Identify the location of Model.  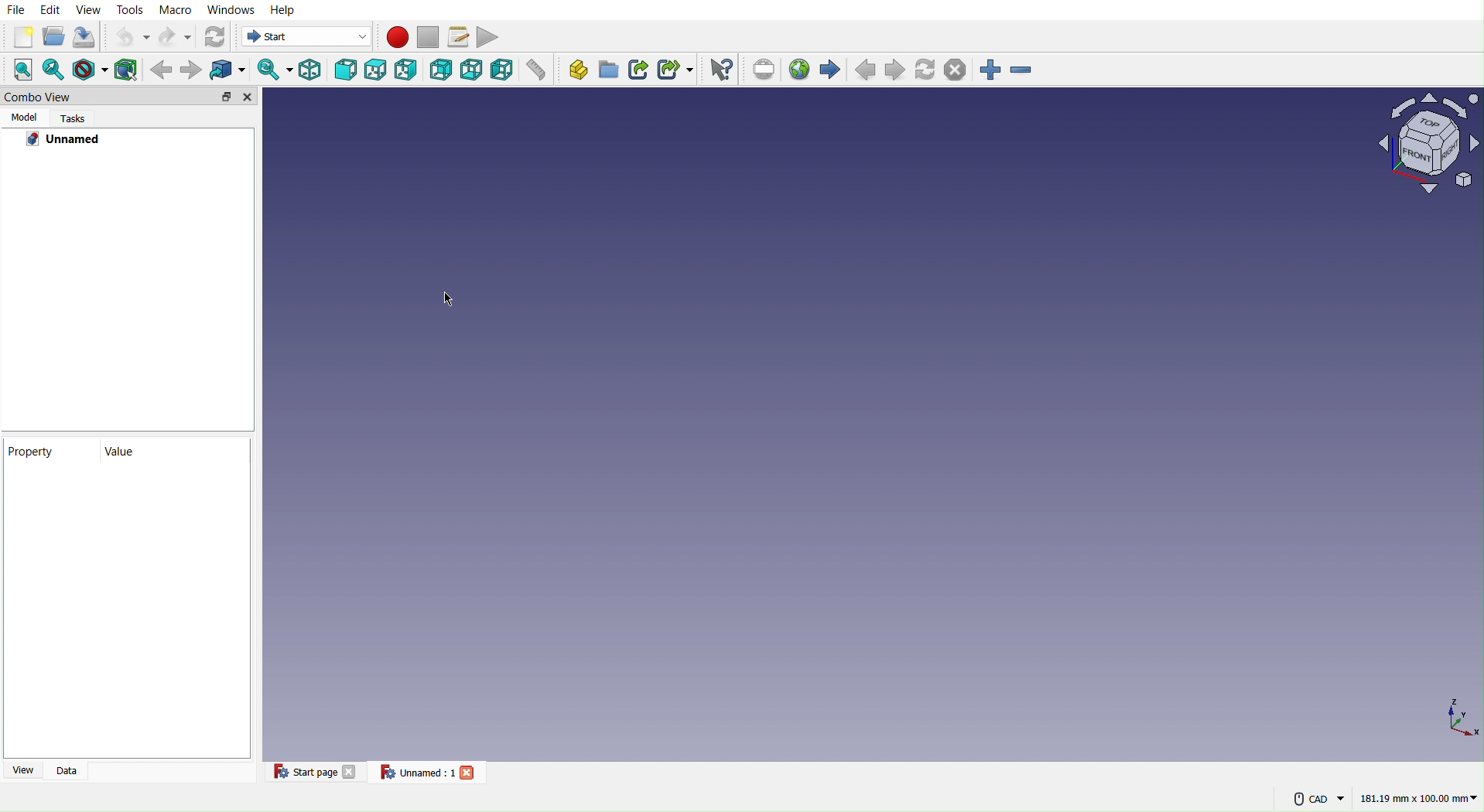
(24, 118).